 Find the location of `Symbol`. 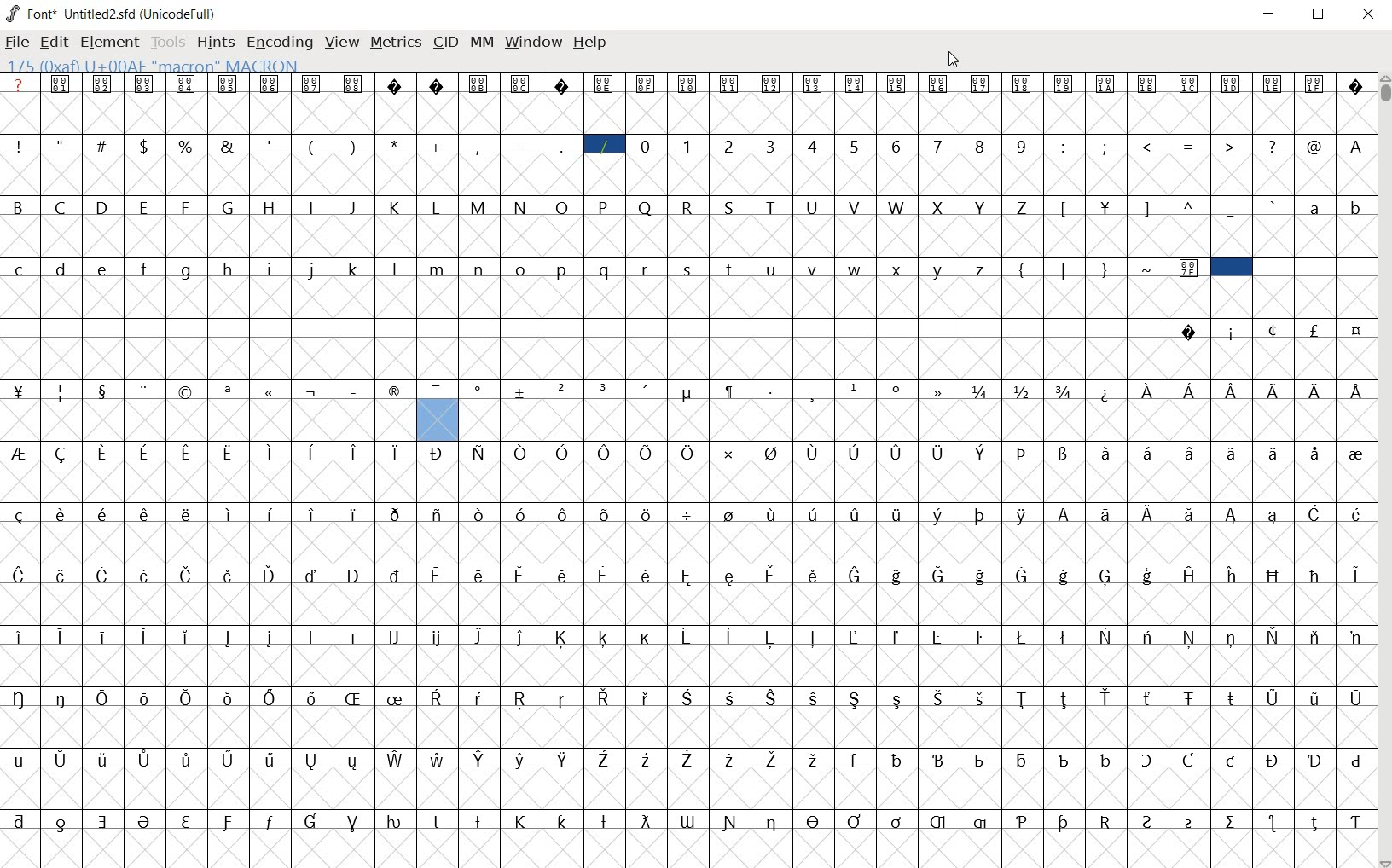

Symbol is located at coordinates (20, 574).